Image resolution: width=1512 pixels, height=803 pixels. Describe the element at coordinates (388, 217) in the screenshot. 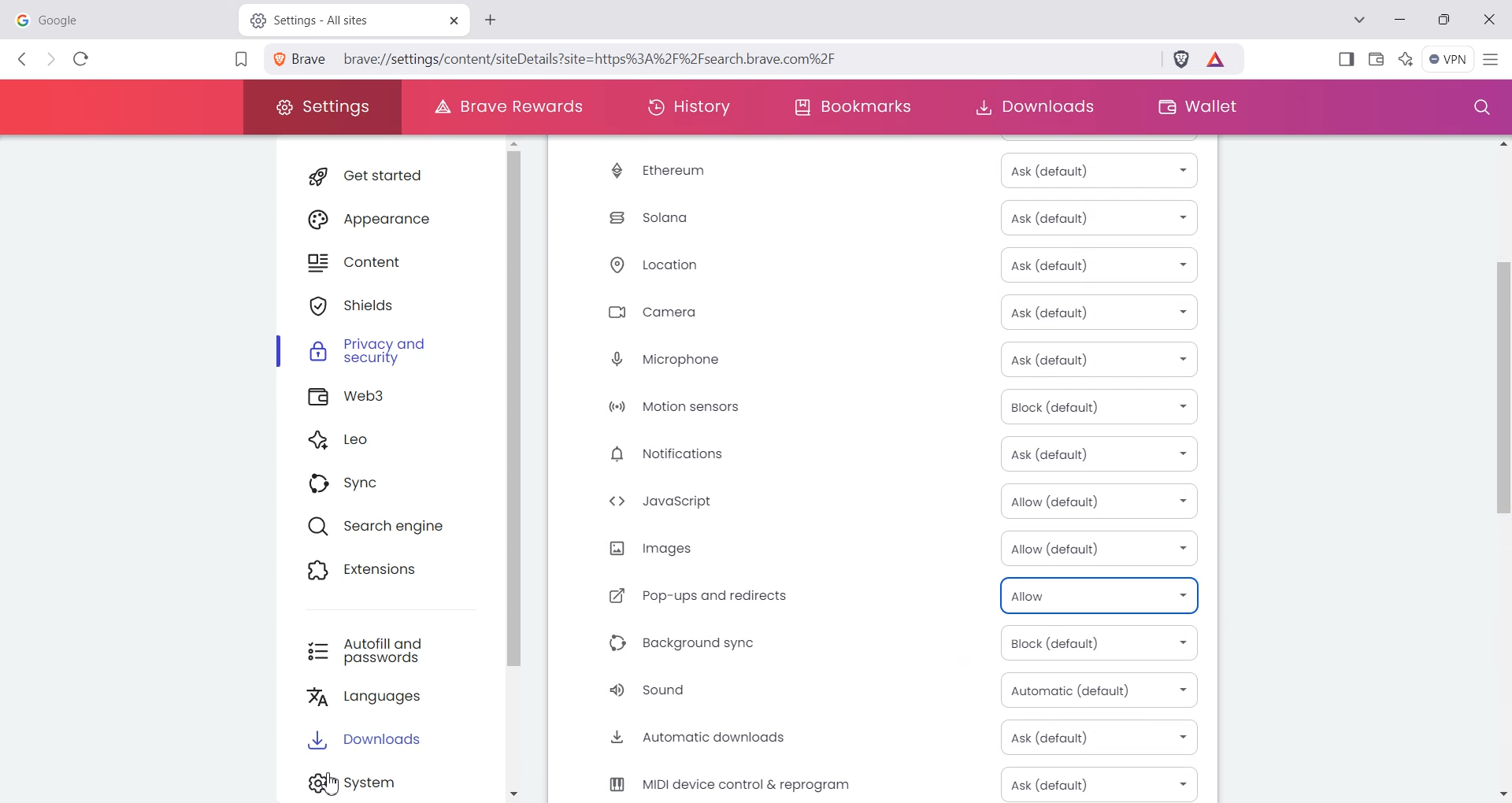

I see `Appearance` at that location.